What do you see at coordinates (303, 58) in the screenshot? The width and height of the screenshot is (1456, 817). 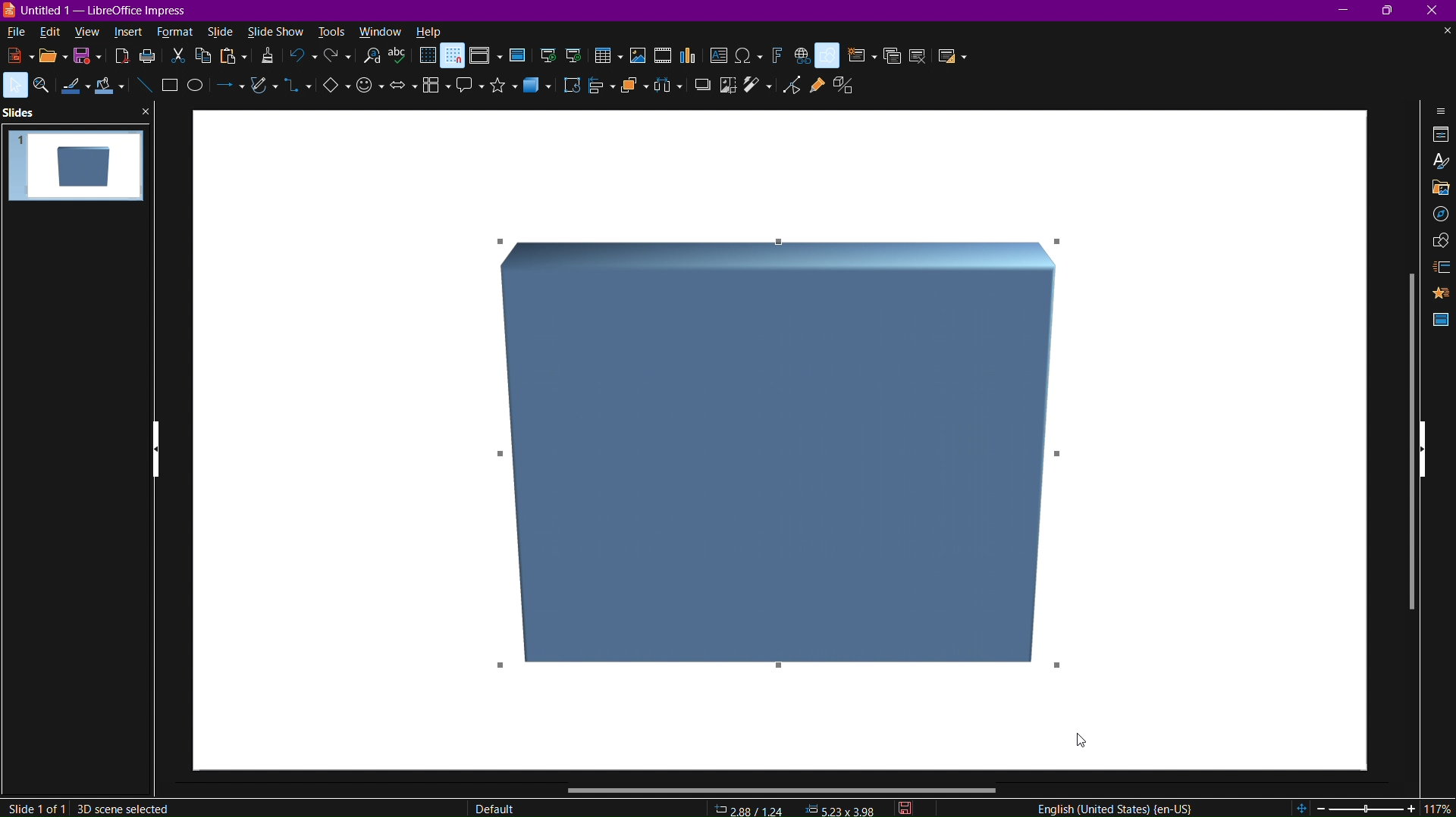 I see `Undo` at bounding box center [303, 58].